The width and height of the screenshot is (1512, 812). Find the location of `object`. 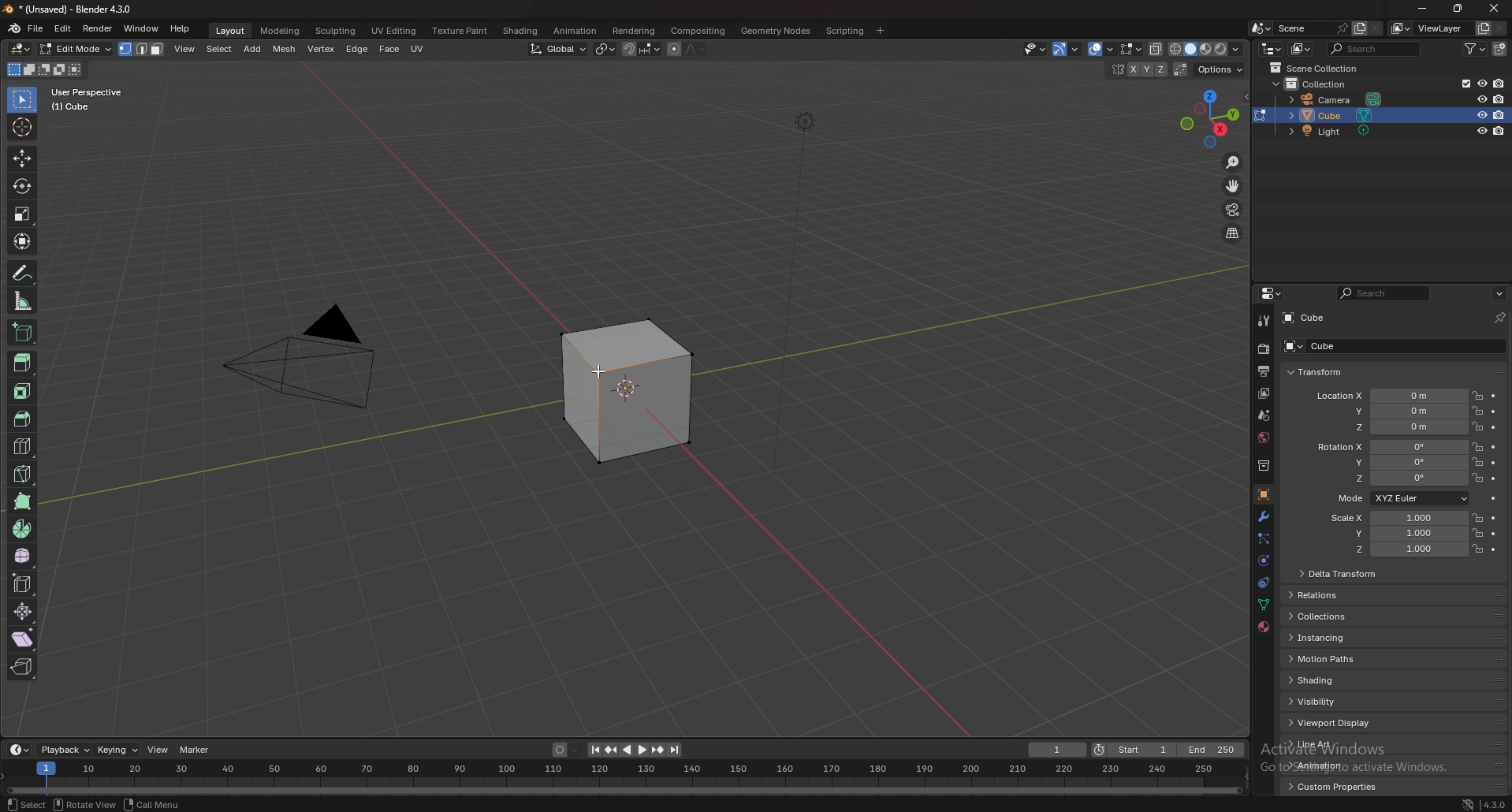

object is located at coordinates (1264, 494).